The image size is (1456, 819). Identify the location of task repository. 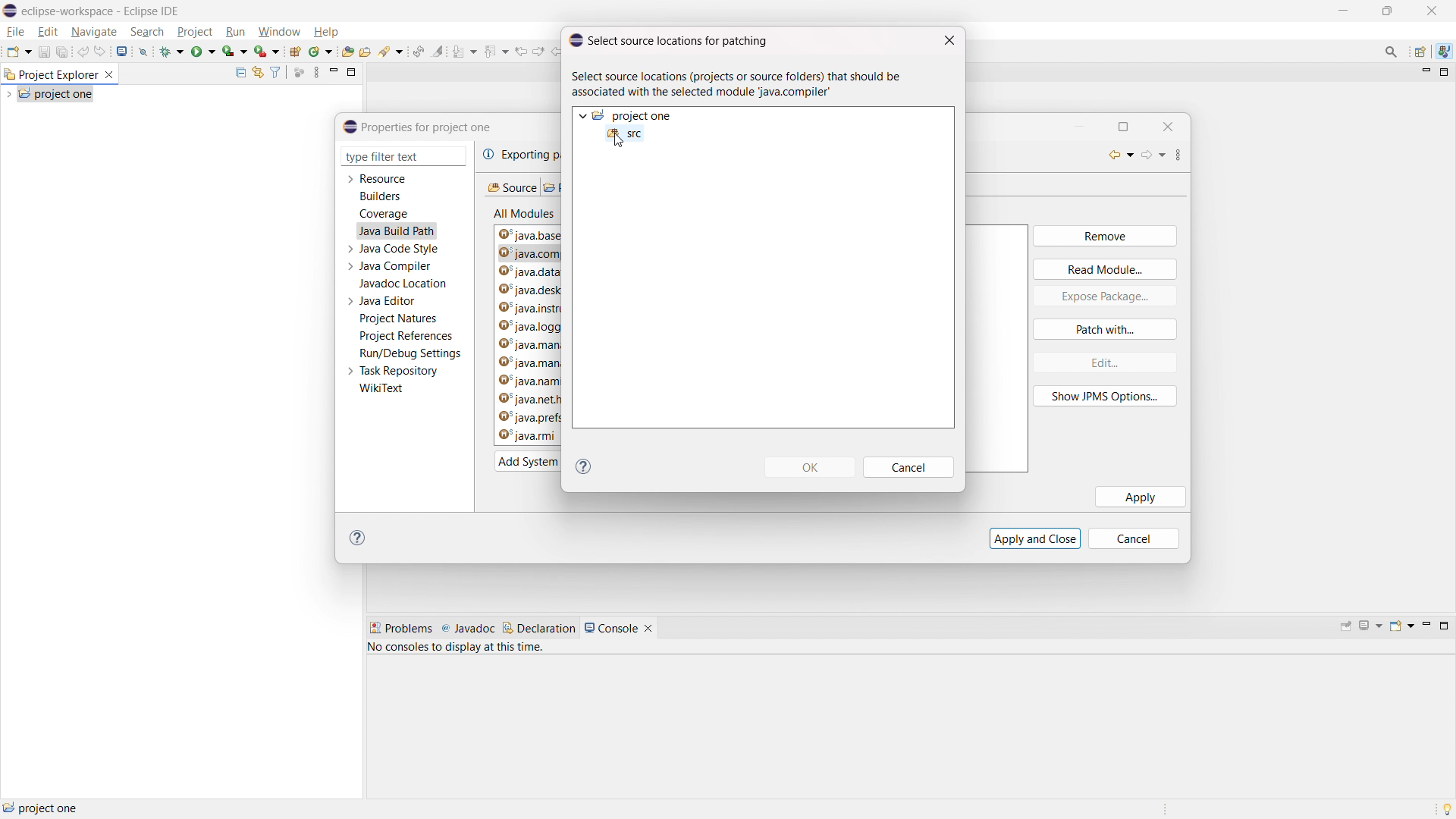
(400, 371).